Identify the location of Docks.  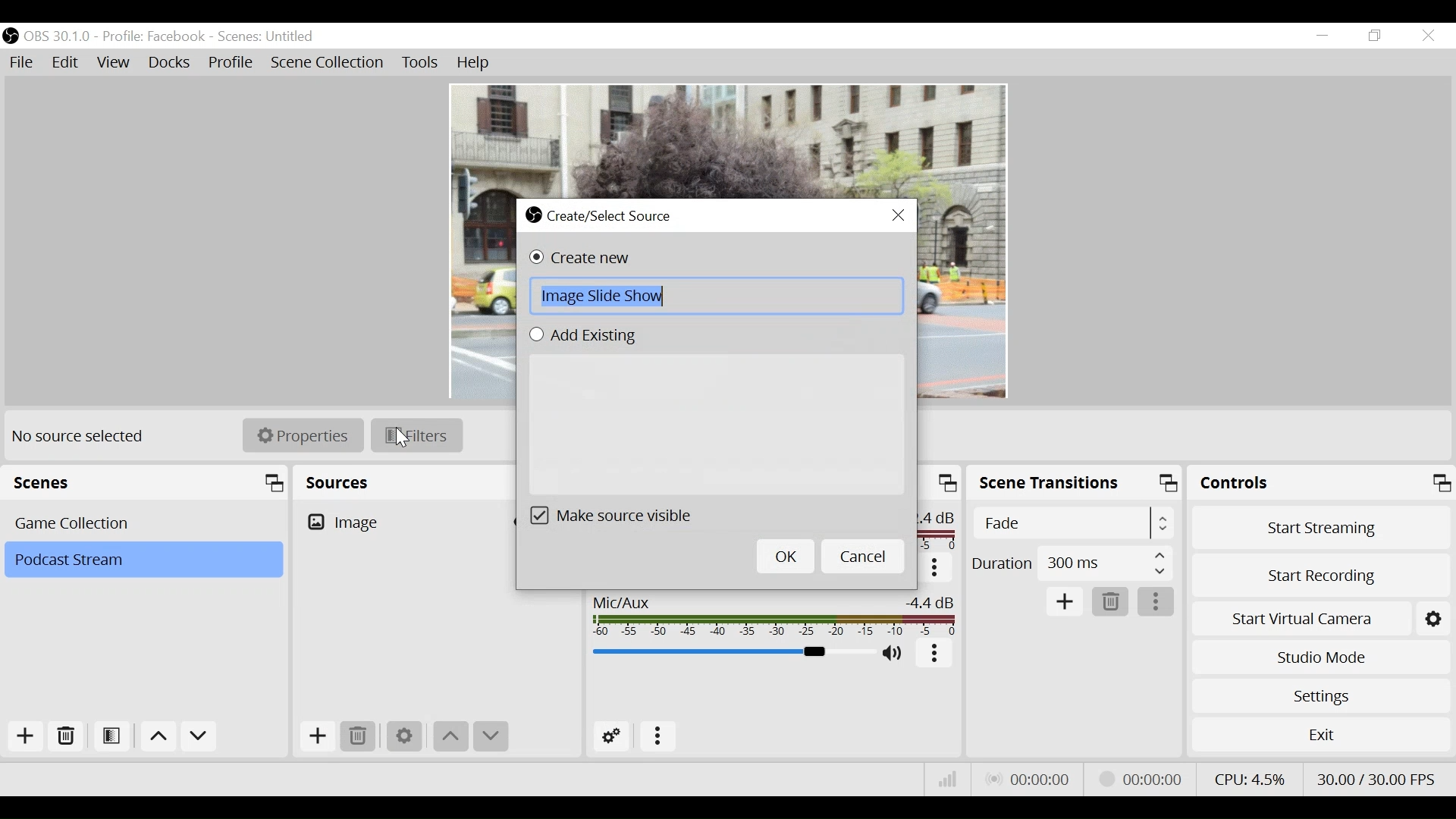
(171, 64).